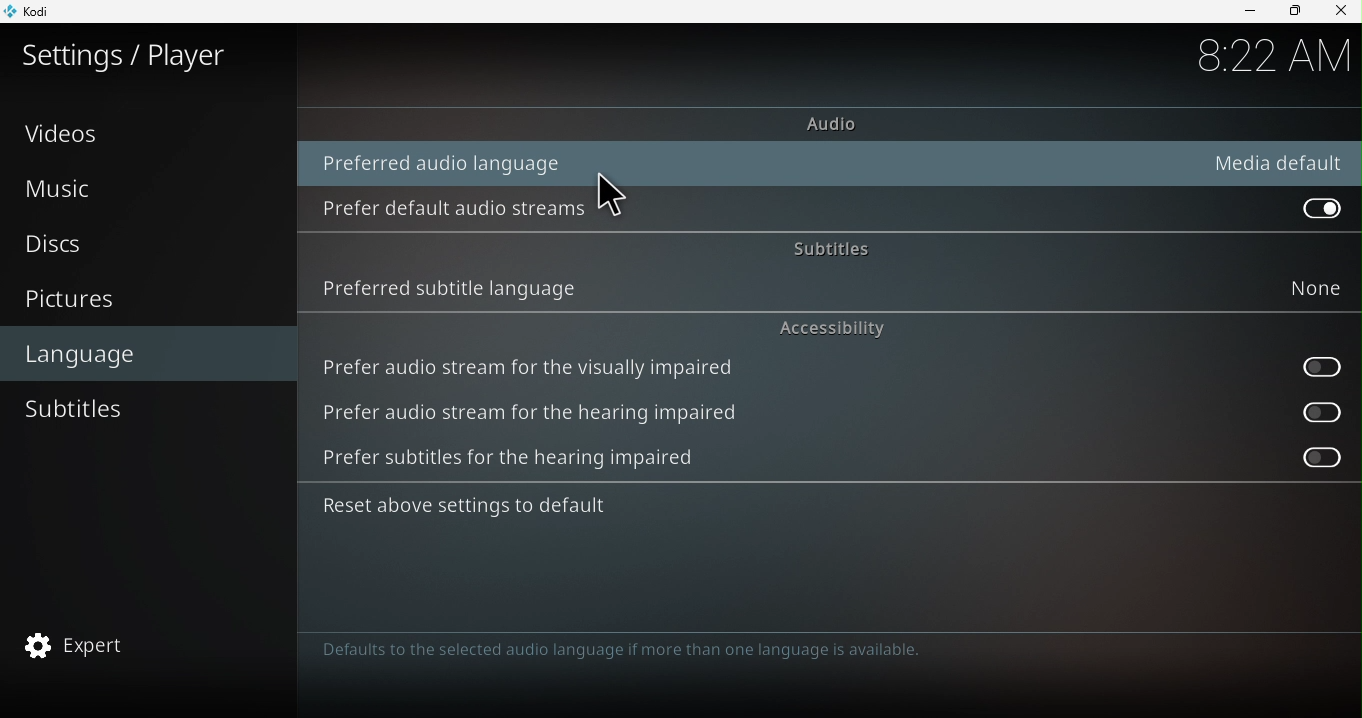  I want to click on Settings/plater, so click(127, 55).